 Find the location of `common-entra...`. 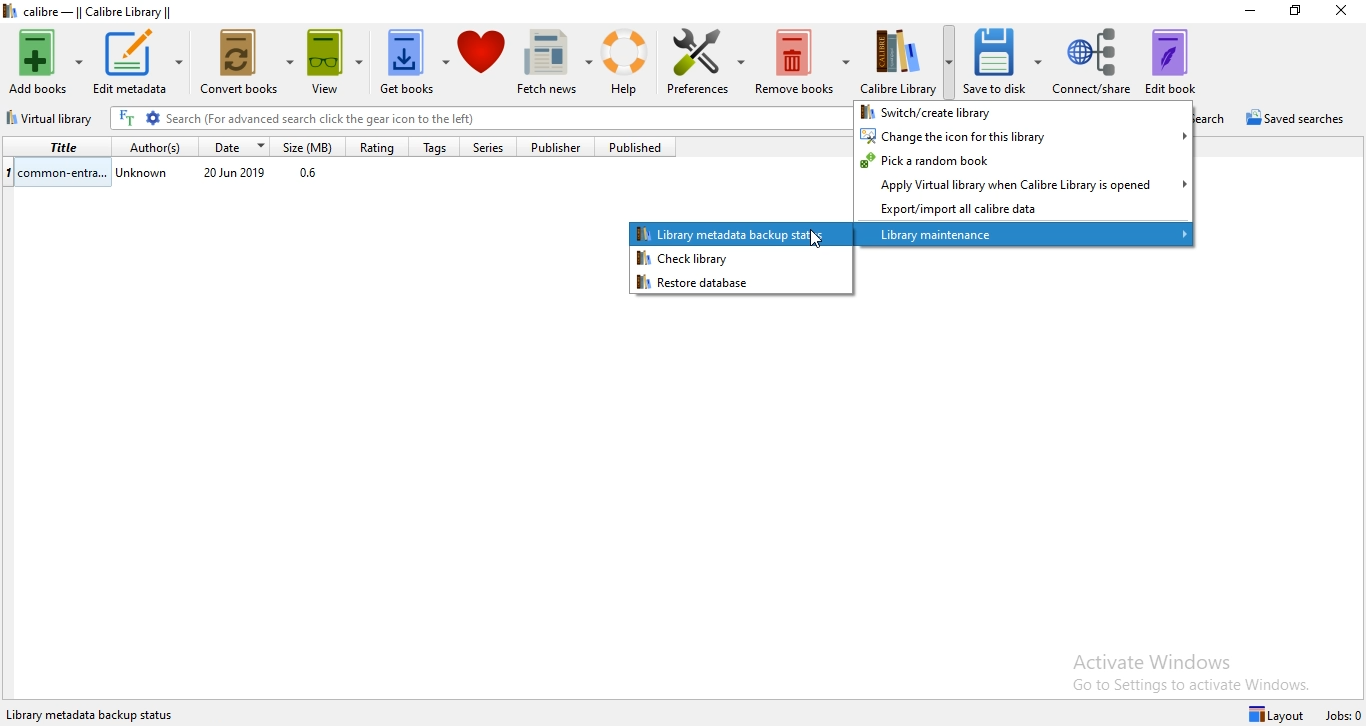

common-entra... is located at coordinates (57, 171).